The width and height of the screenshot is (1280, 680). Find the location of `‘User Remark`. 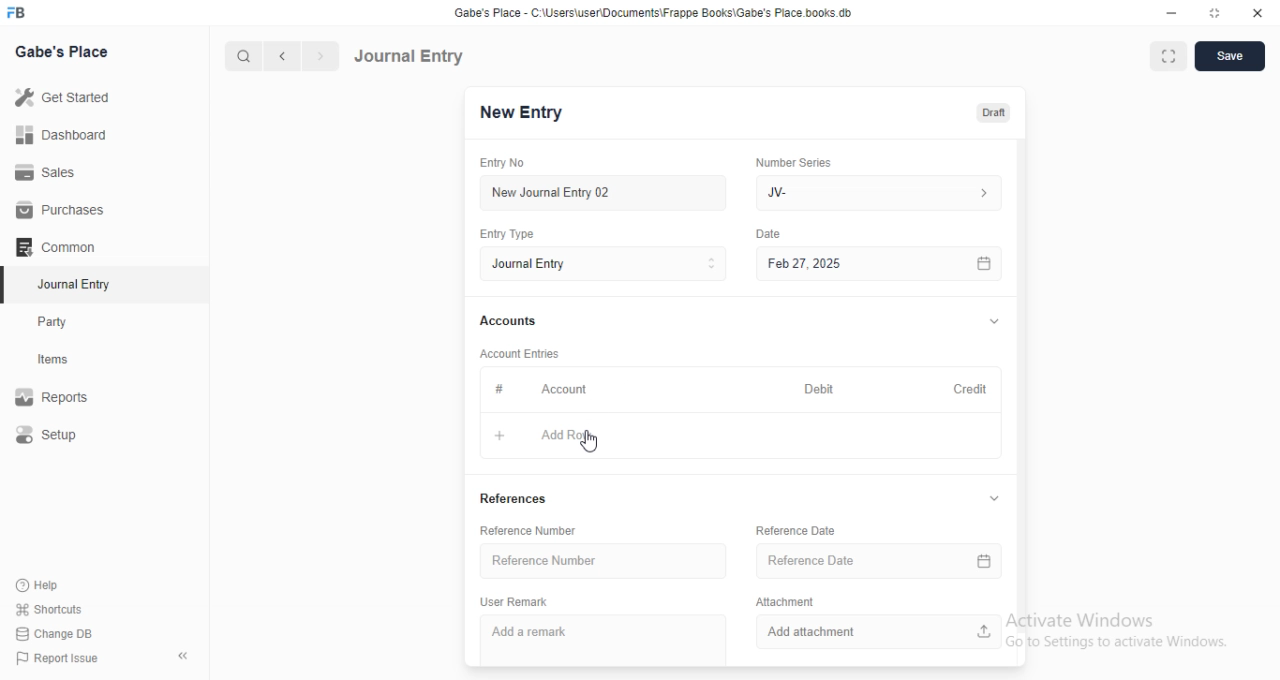

‘User Remark is located at coordinates (514, 602).